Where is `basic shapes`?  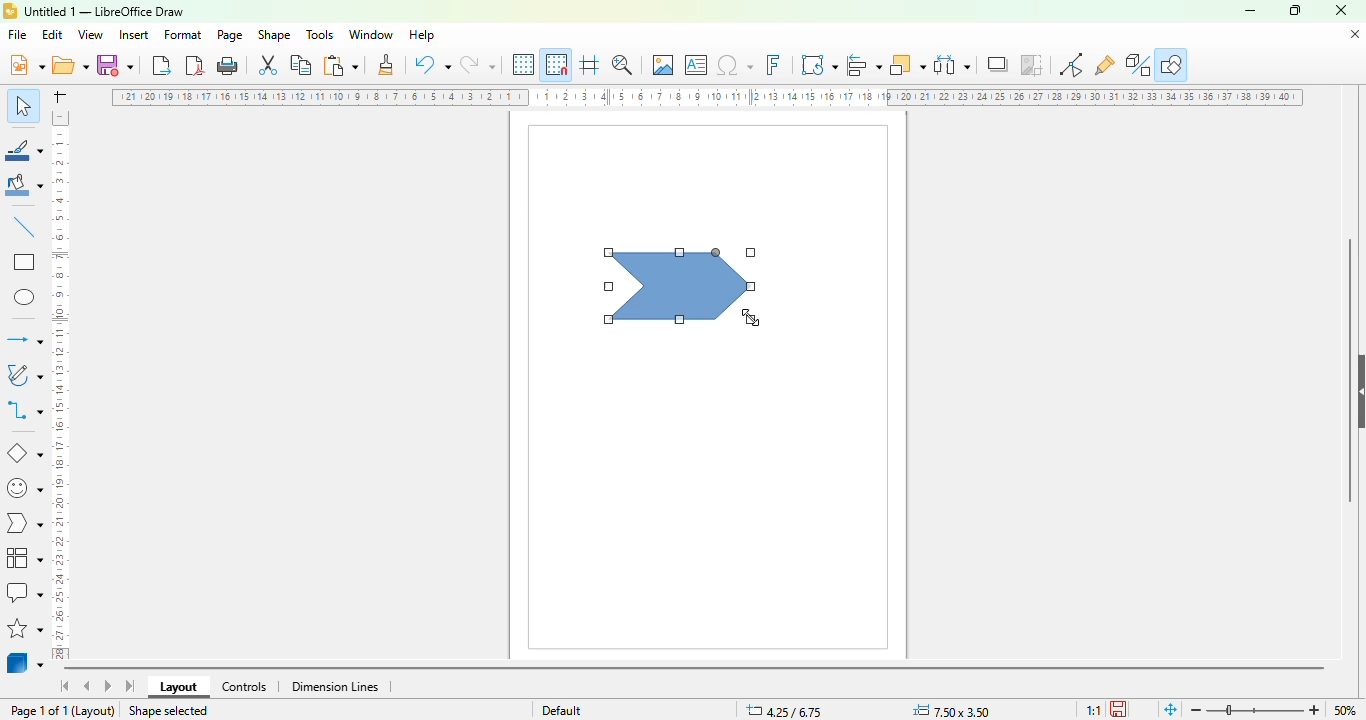 basic shapes is located at coordinates (25, 454).